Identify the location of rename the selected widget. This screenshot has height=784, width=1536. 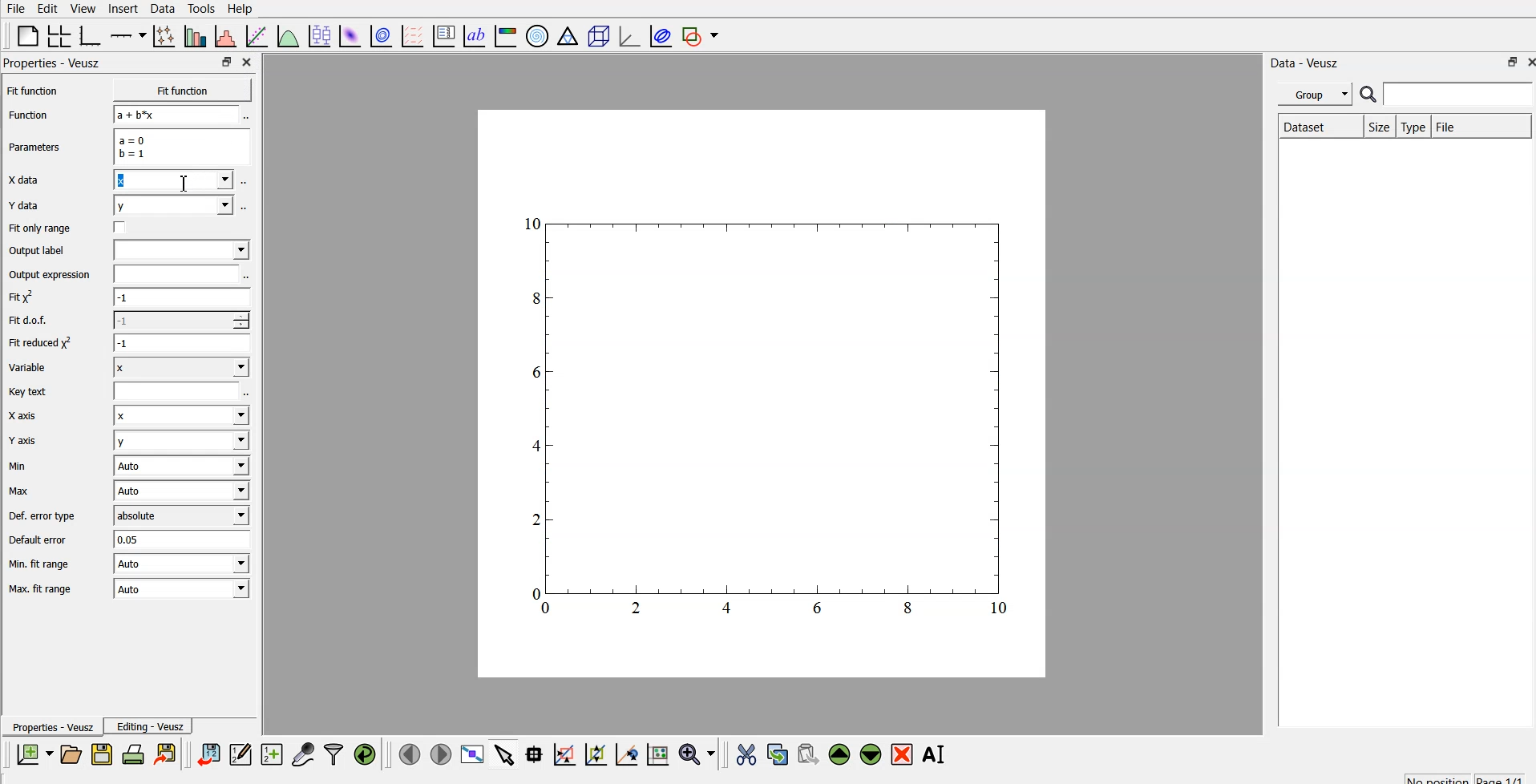
(938, 754).